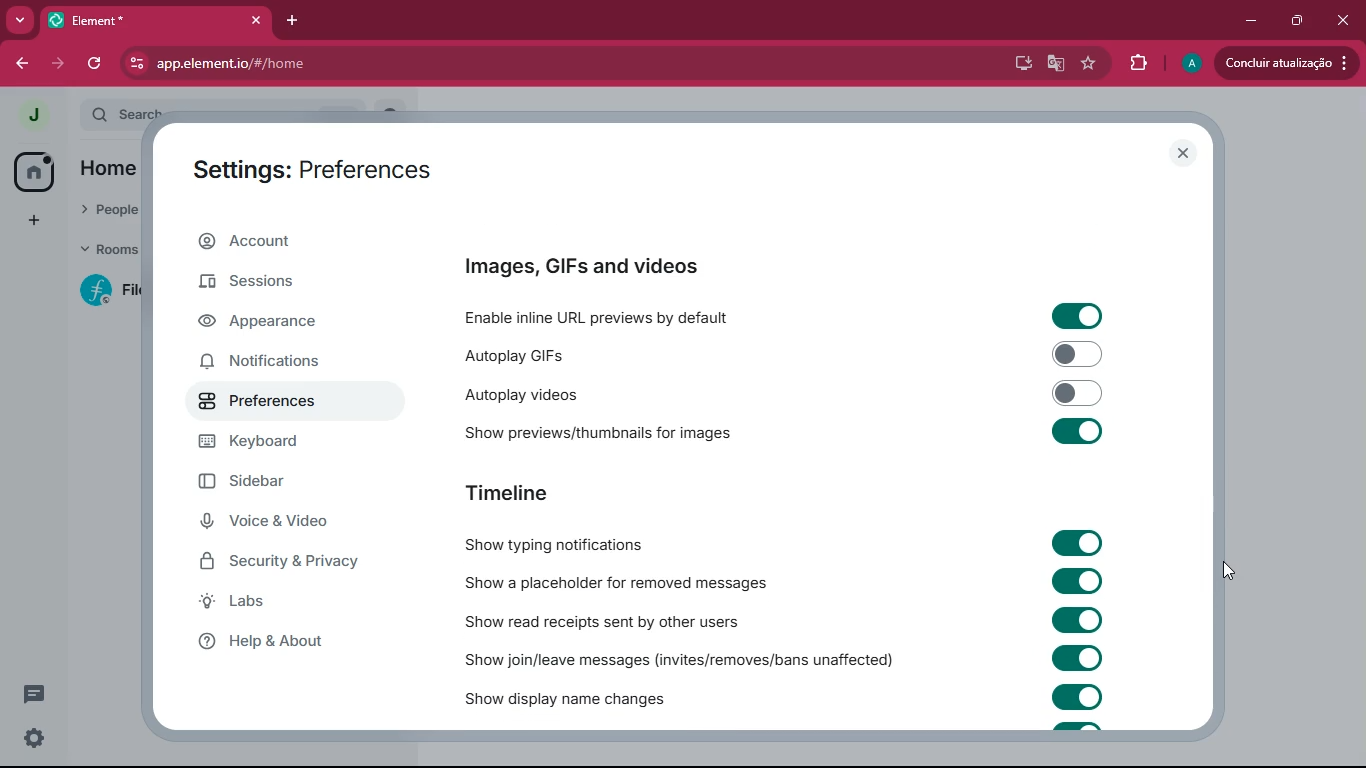  I want to click on google translate, so click(1056, 63).